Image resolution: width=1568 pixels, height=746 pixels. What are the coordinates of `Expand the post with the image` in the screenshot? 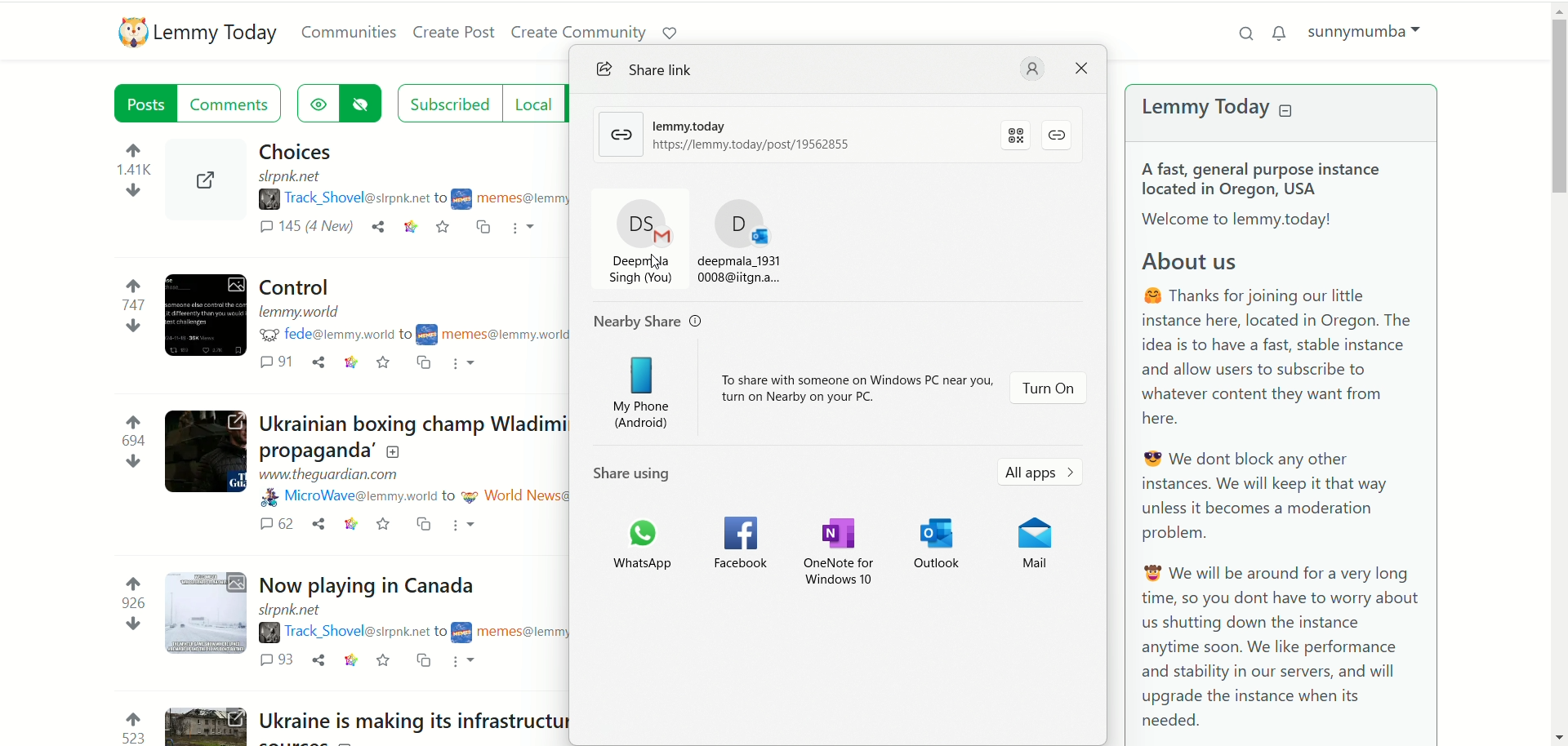 It's located at (203, 452).